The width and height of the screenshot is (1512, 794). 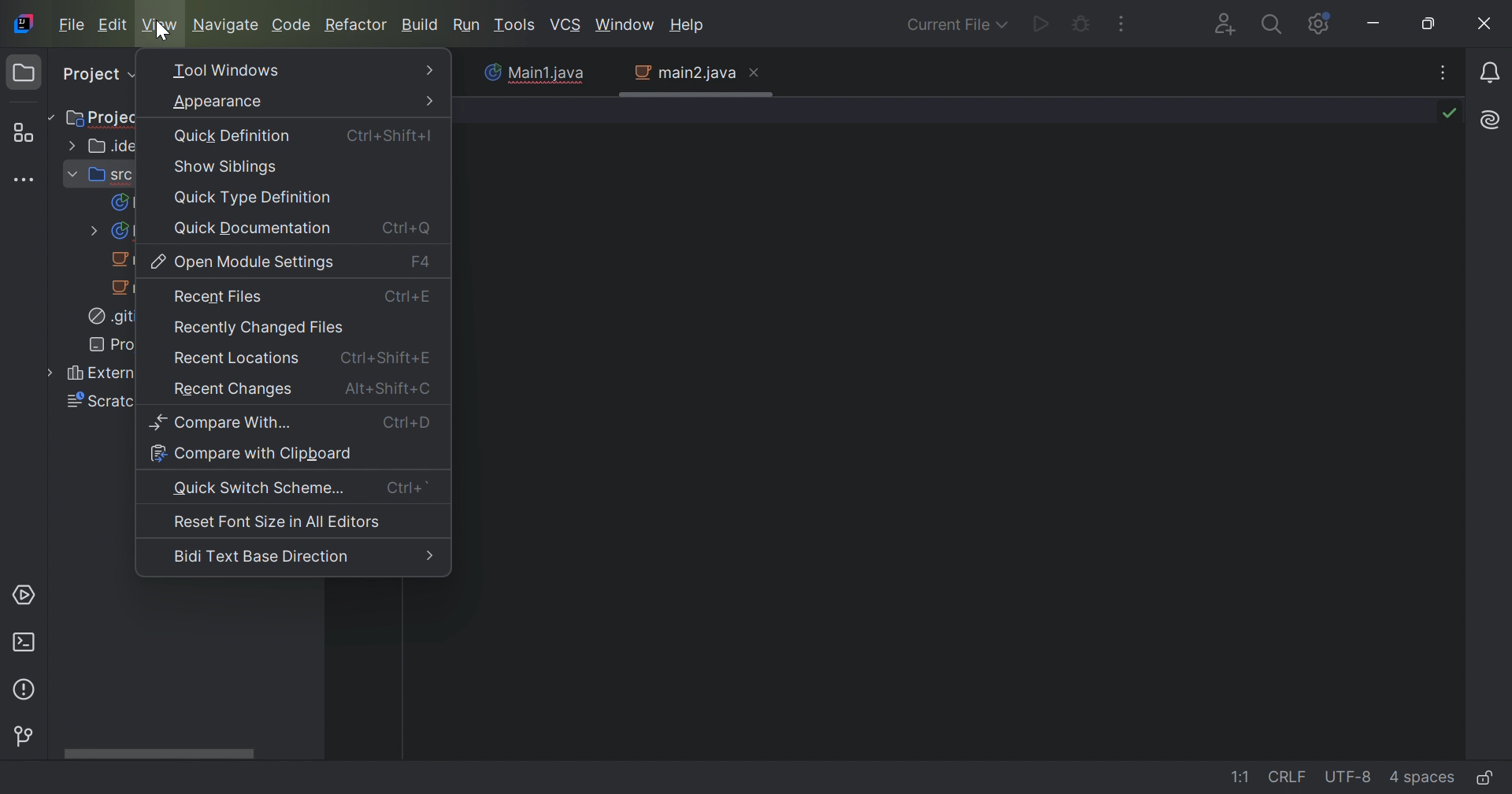 I want to click on More, so click(x=432, y=99).